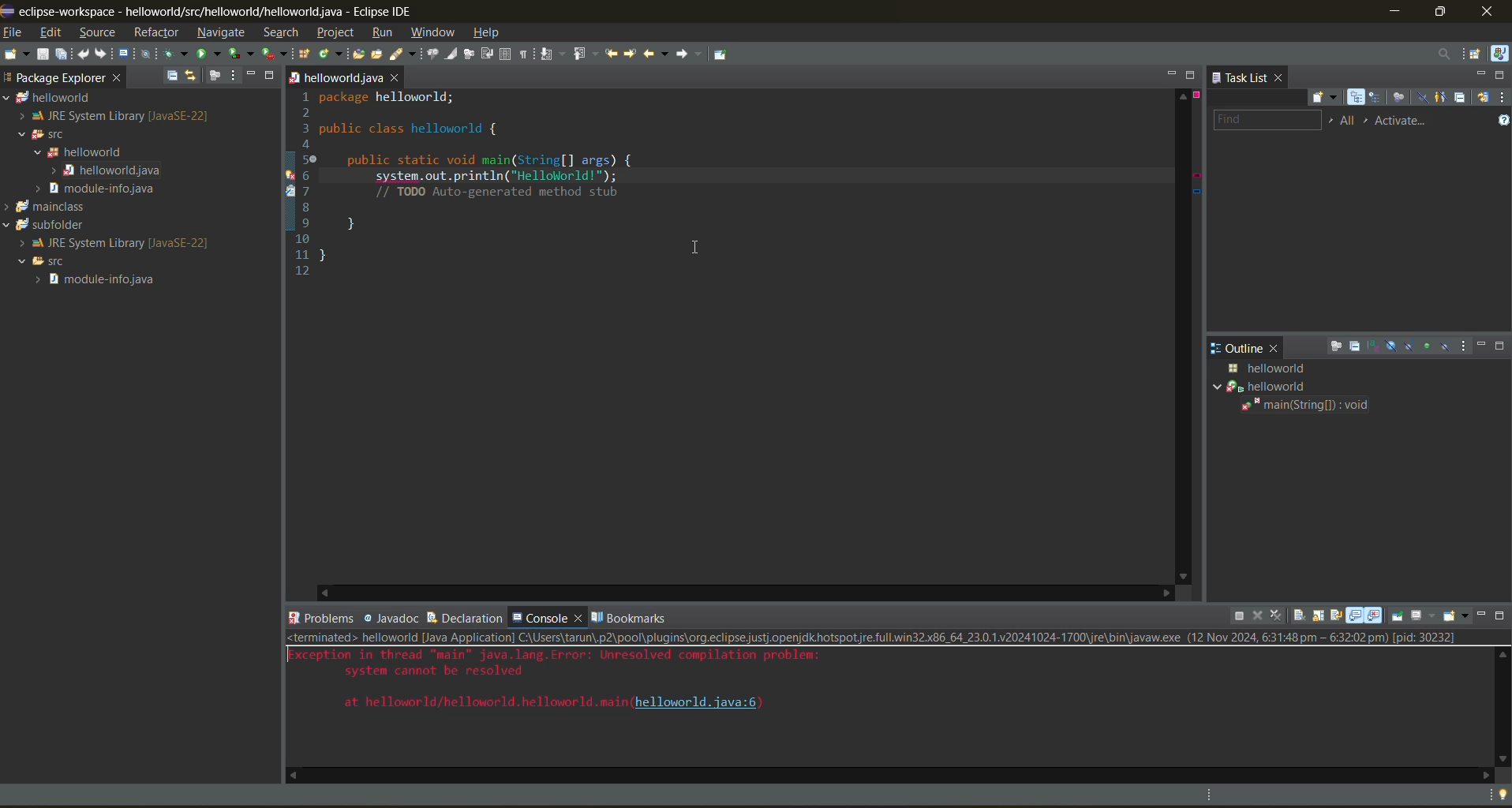  I want to click on forward, so click(690, 54).